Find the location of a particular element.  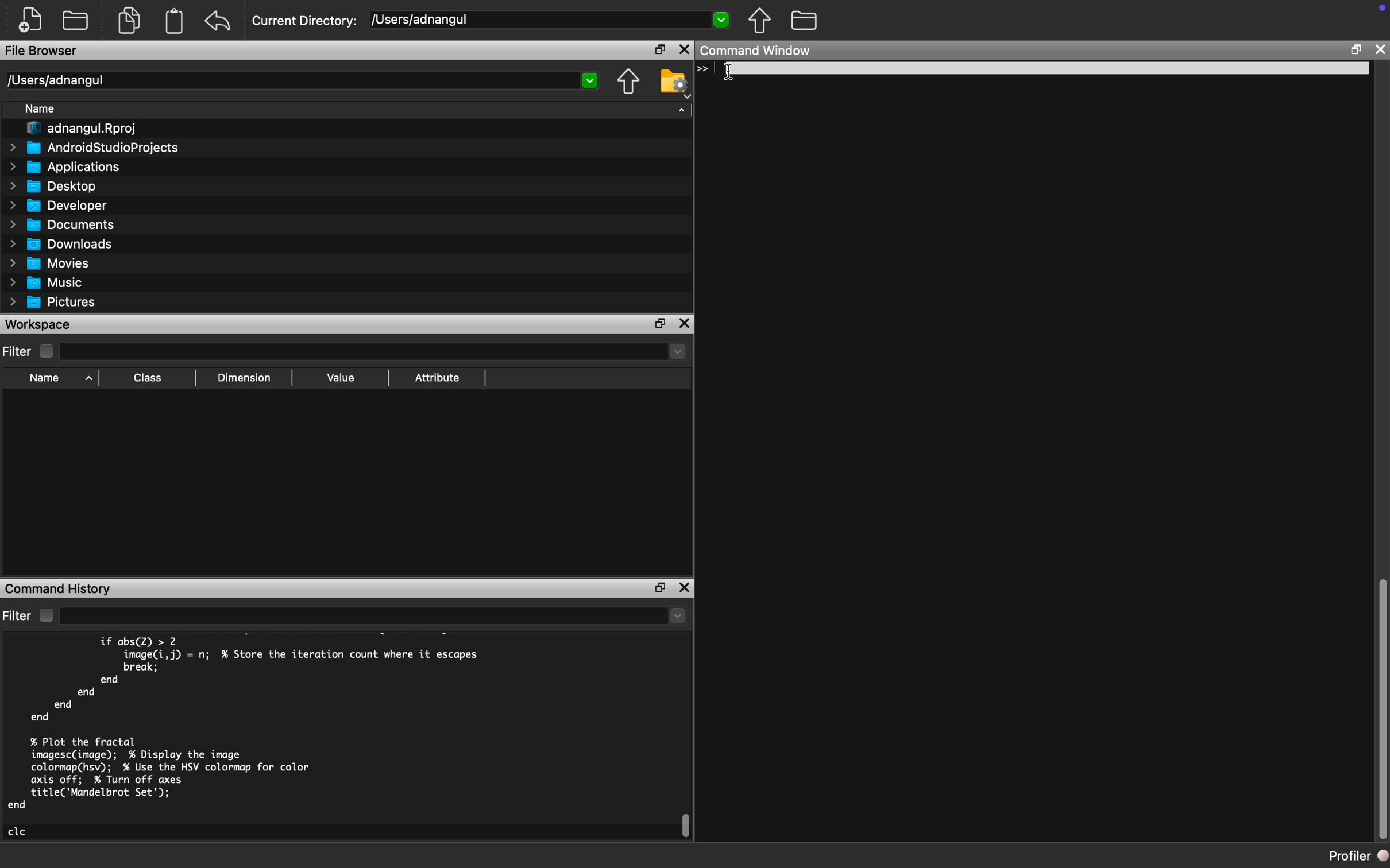

Name is located at coordinates (45, 378).